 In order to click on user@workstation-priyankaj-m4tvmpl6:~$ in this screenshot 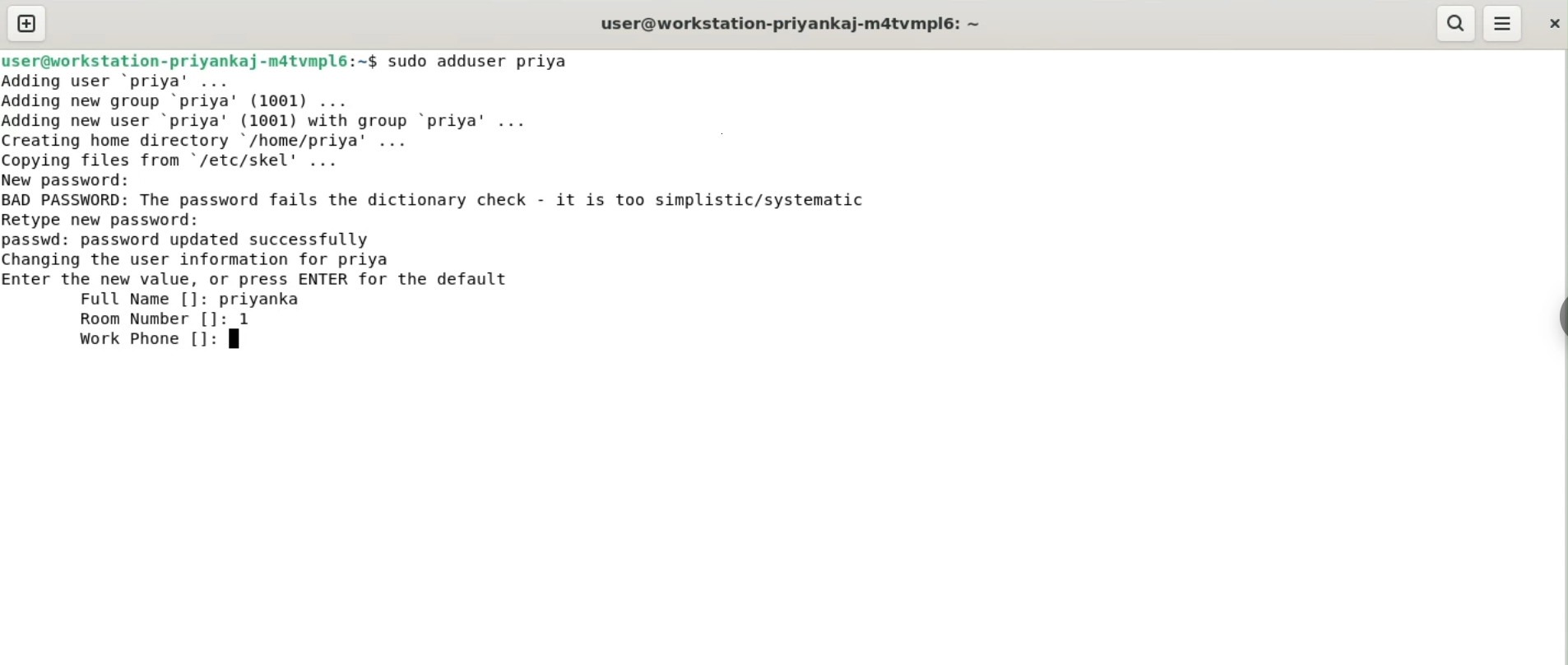, I will do `click(189, 58)`.